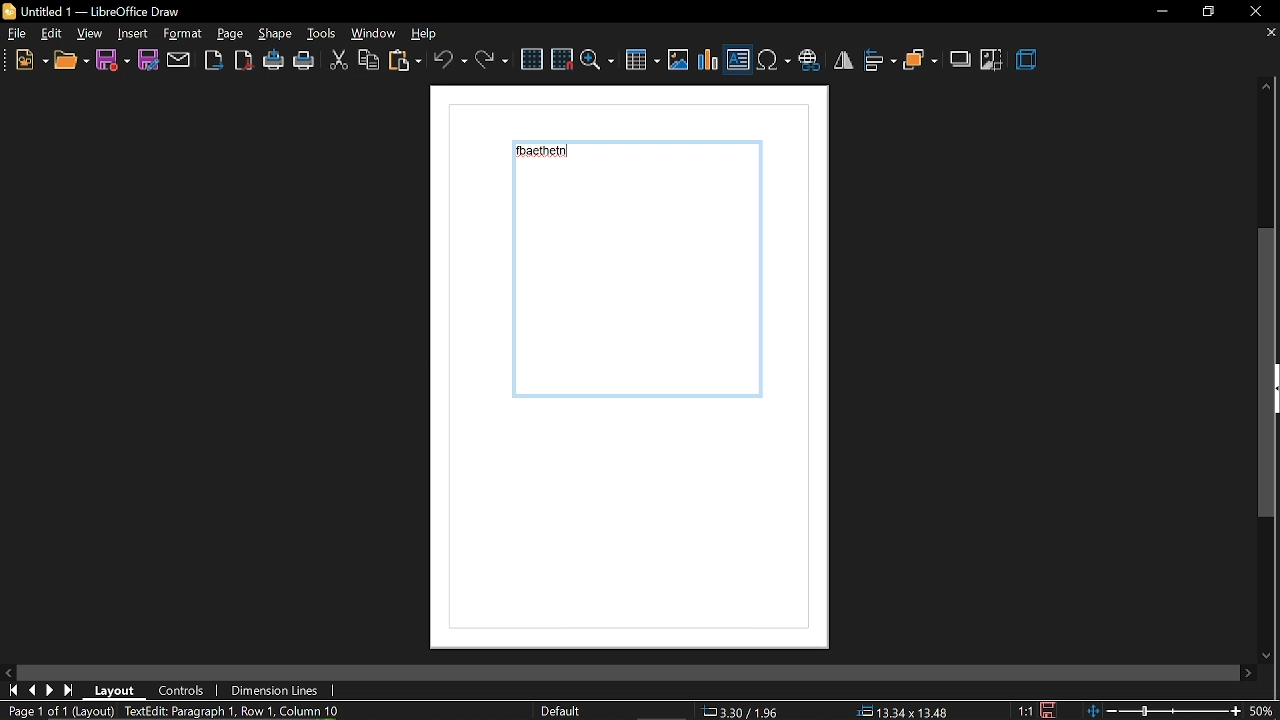 This screenshot has width=1280, height=720. What do you see at coordinates (214, 59) in the screenshot?
I see `Export` at bounding box center [214, 59].